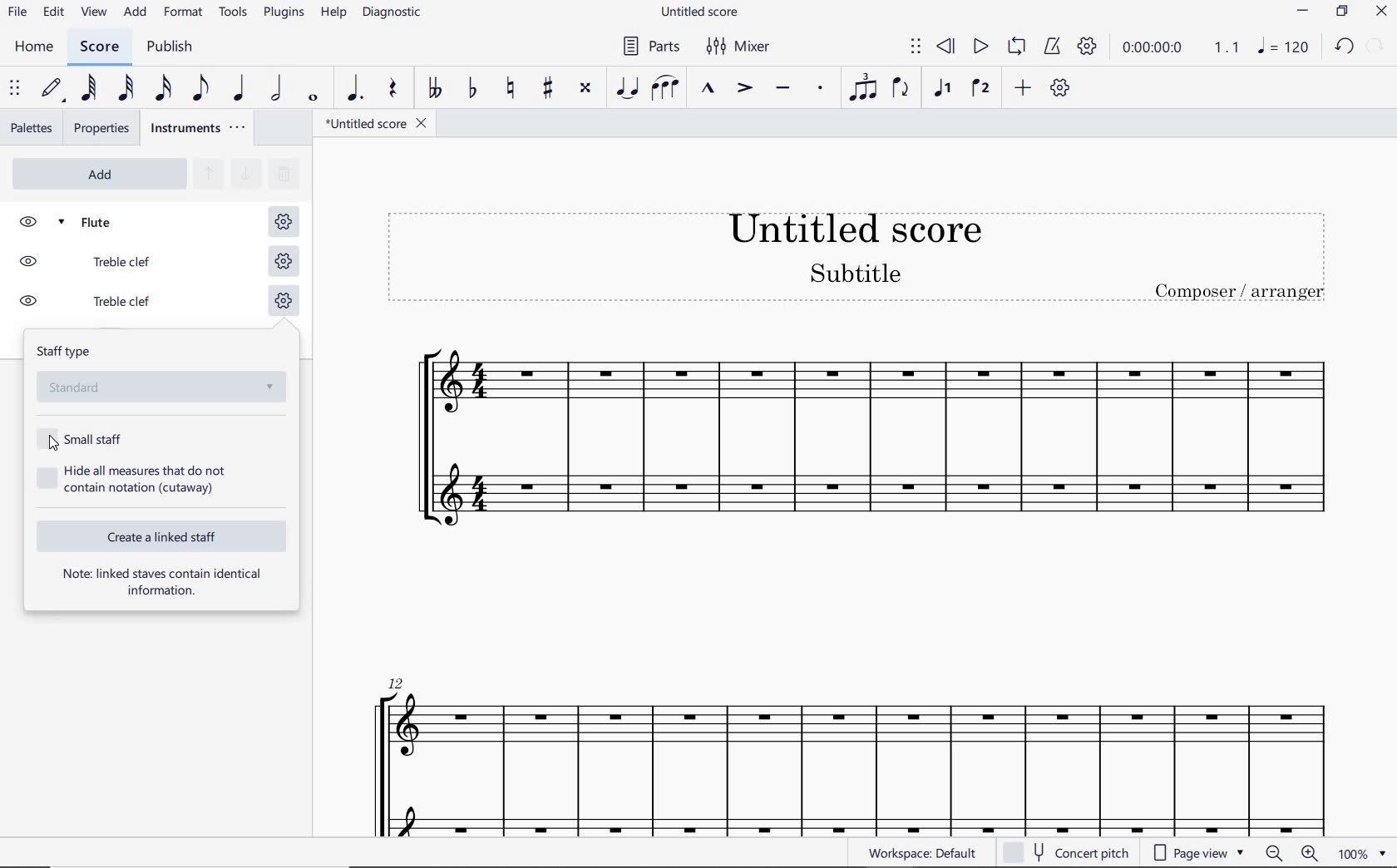  I want to click on EIGHTH NOTE, so click(201, 89).